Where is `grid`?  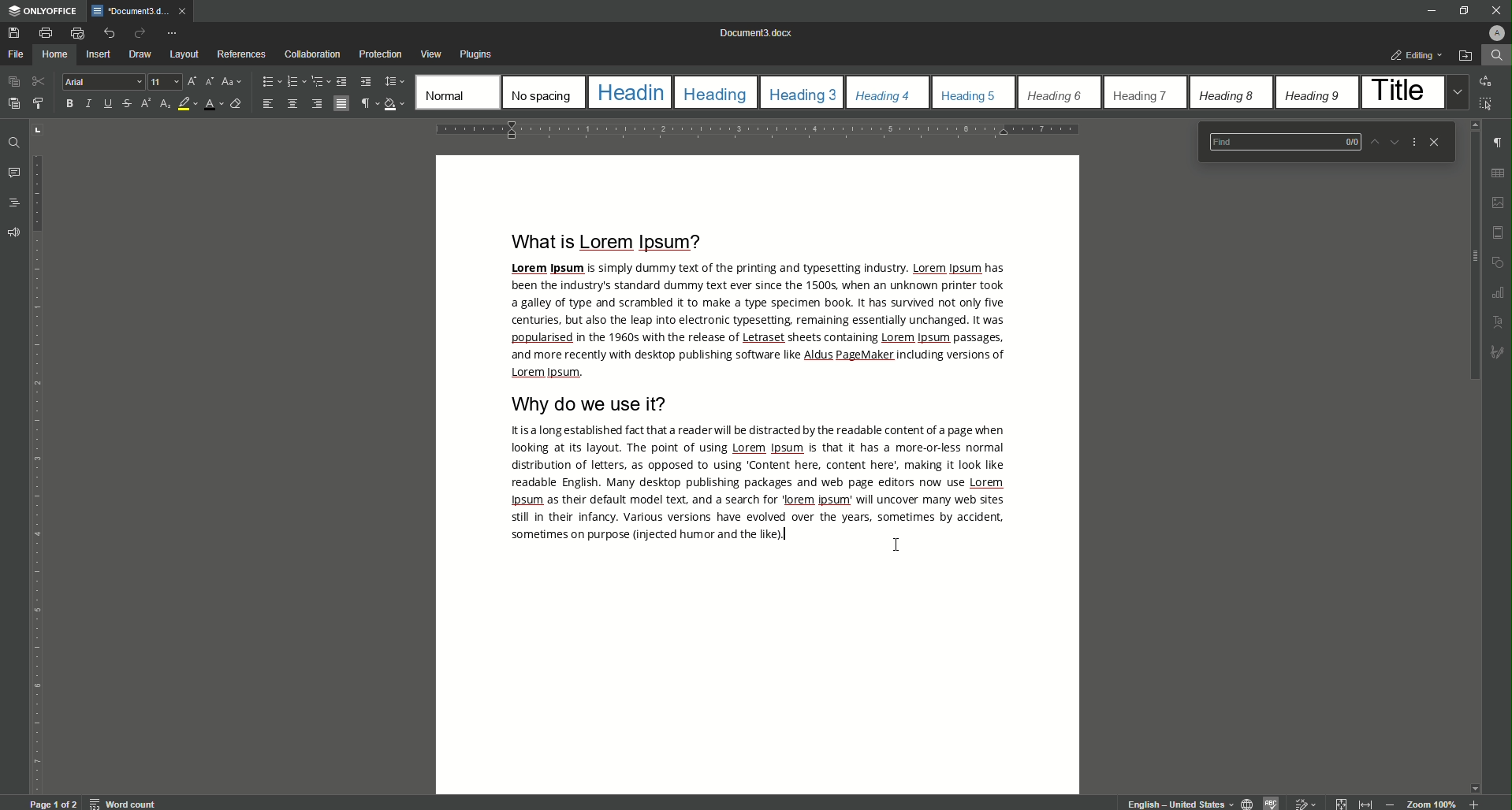
grid is located at coordinates (1499, 170).